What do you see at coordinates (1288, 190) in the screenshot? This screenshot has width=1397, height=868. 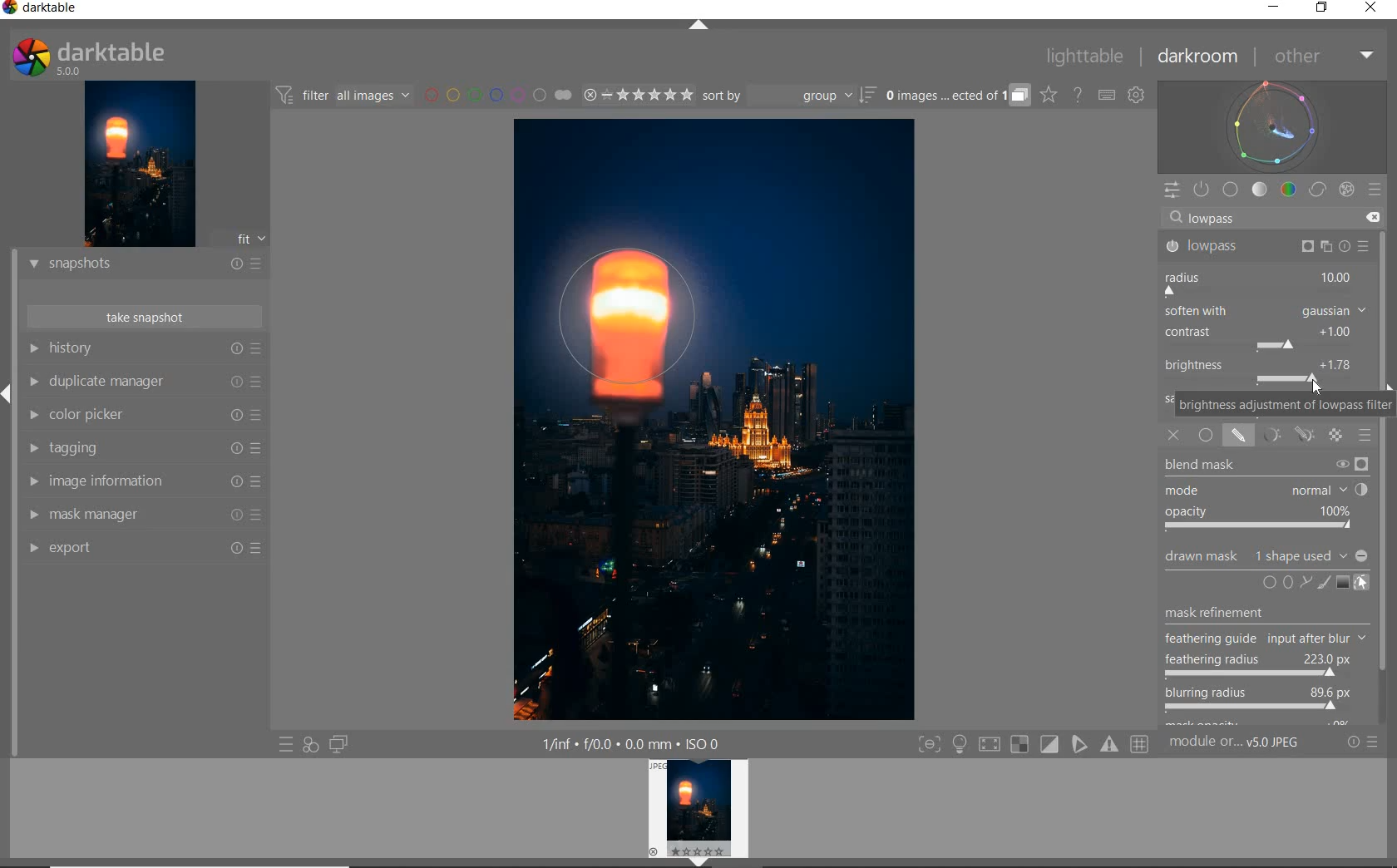 I see `COLOR` at bounding box center [1288, 190].